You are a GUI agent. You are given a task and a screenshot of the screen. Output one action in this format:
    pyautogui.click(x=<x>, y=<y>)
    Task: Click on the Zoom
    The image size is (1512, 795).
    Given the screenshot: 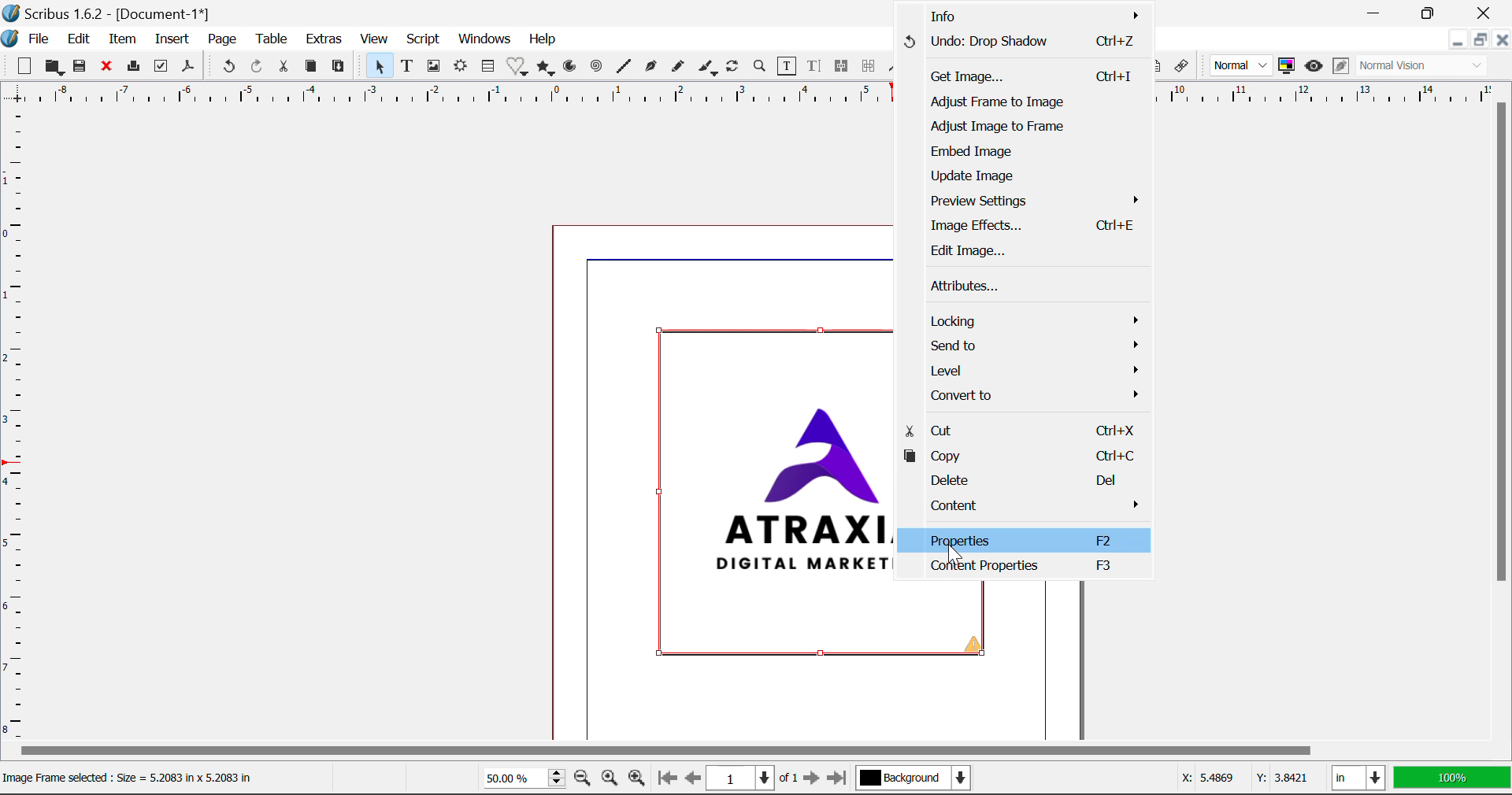 What is the action you would take?
    pyautogui.click(x=762, y=68)
    